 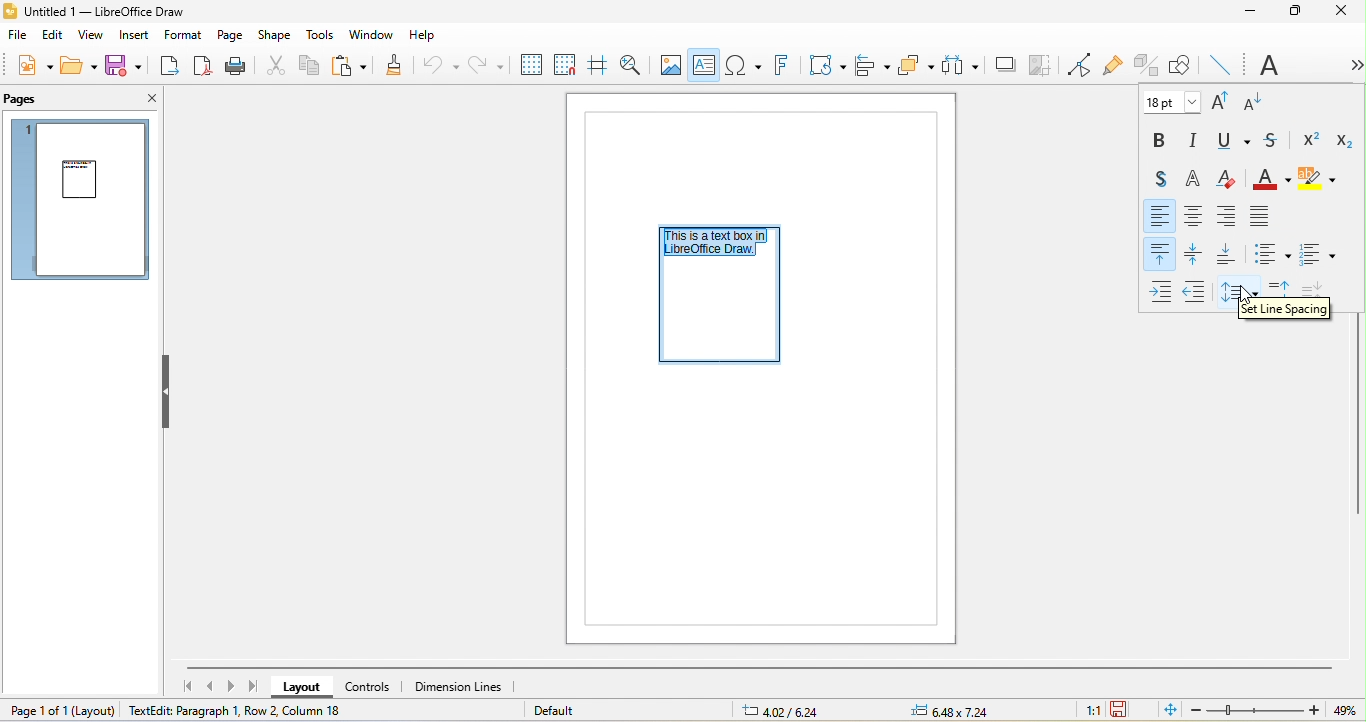 What do you see at coordinates (142, 97) in the screenshot?
I see `close` at bounding box center [142, 97].